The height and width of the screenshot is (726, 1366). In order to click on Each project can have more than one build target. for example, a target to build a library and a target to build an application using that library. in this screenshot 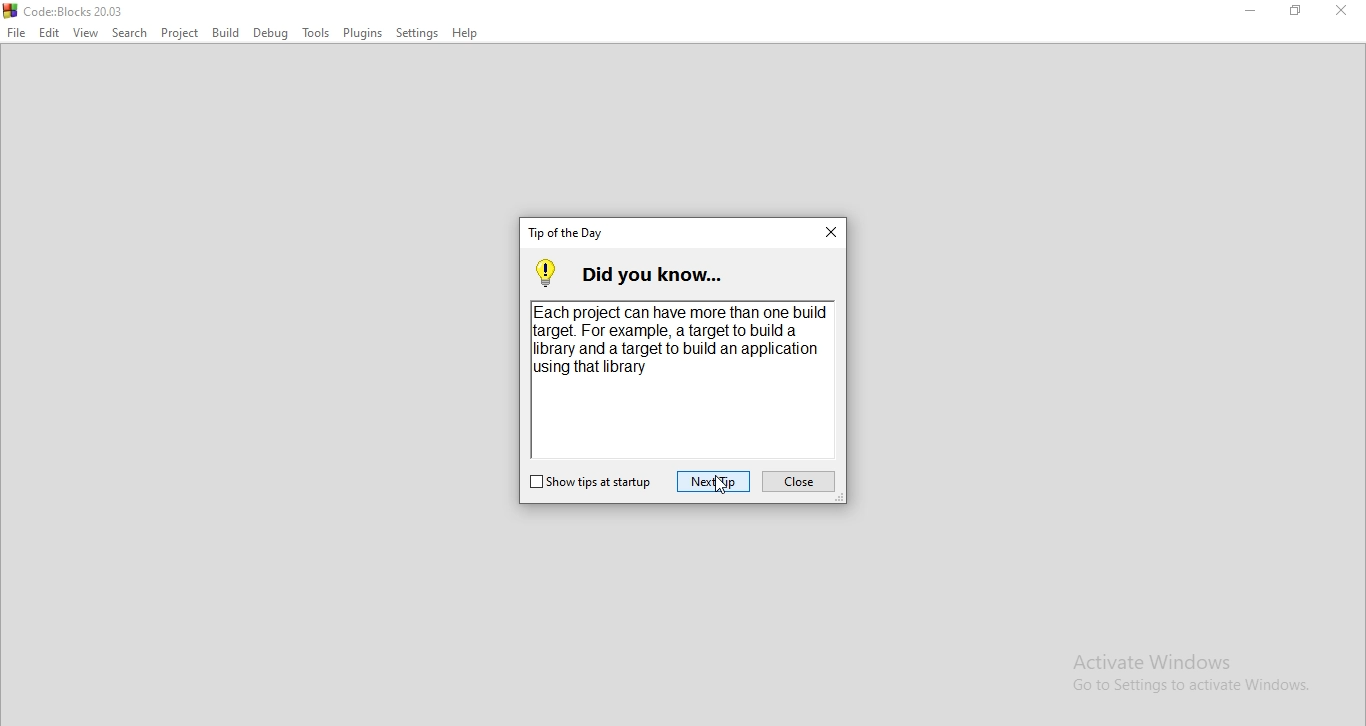, I will do `click(680, 382)`.